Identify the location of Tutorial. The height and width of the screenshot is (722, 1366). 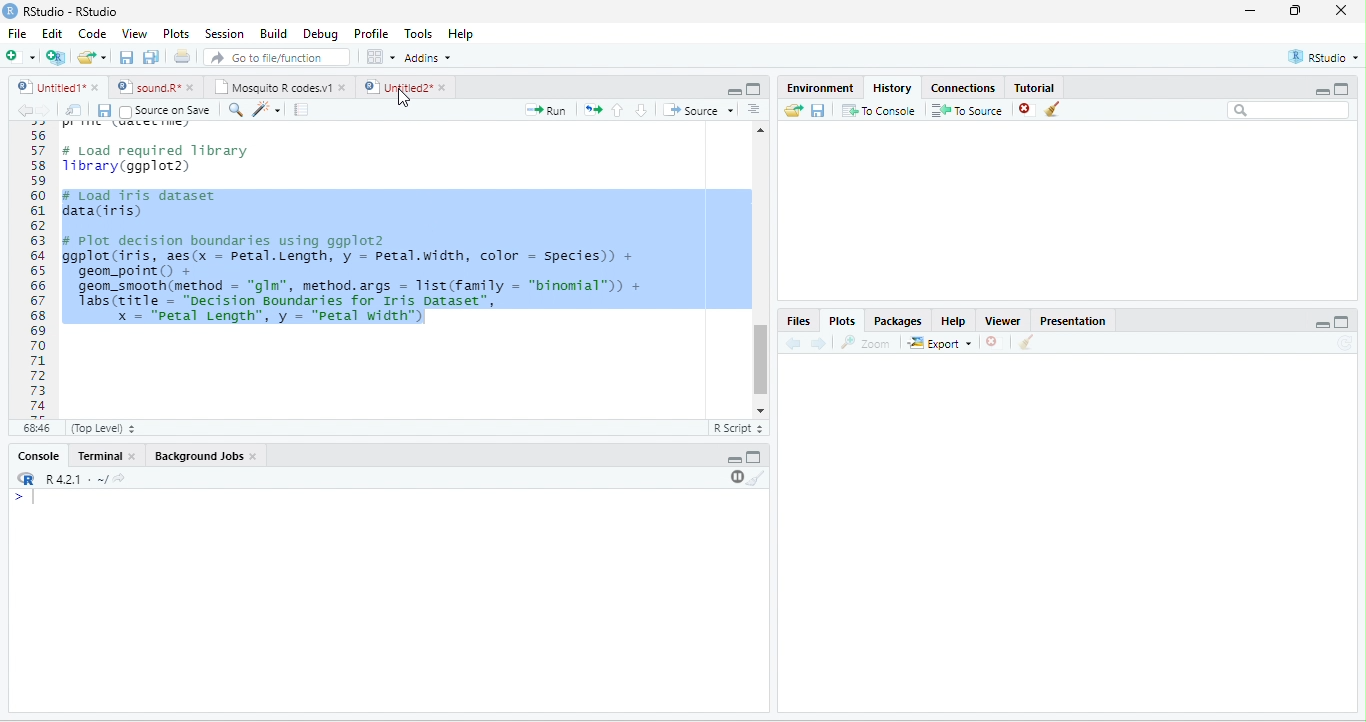
(1035, 88).